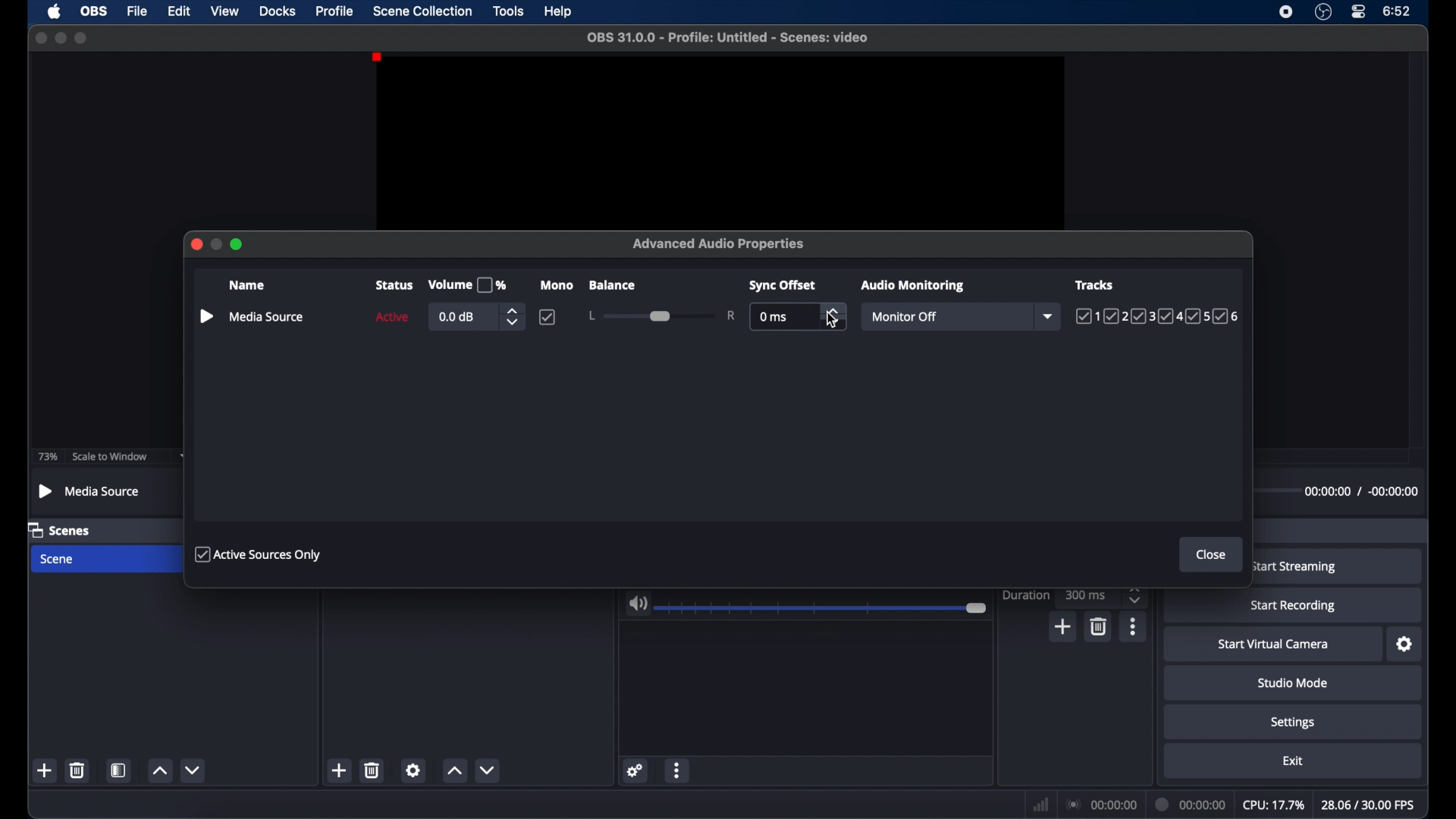 The image size is (1456, 819). What do you see at coordinates (394, 284) in the screenshot?
I see `status` at bounding box center [394, 284].